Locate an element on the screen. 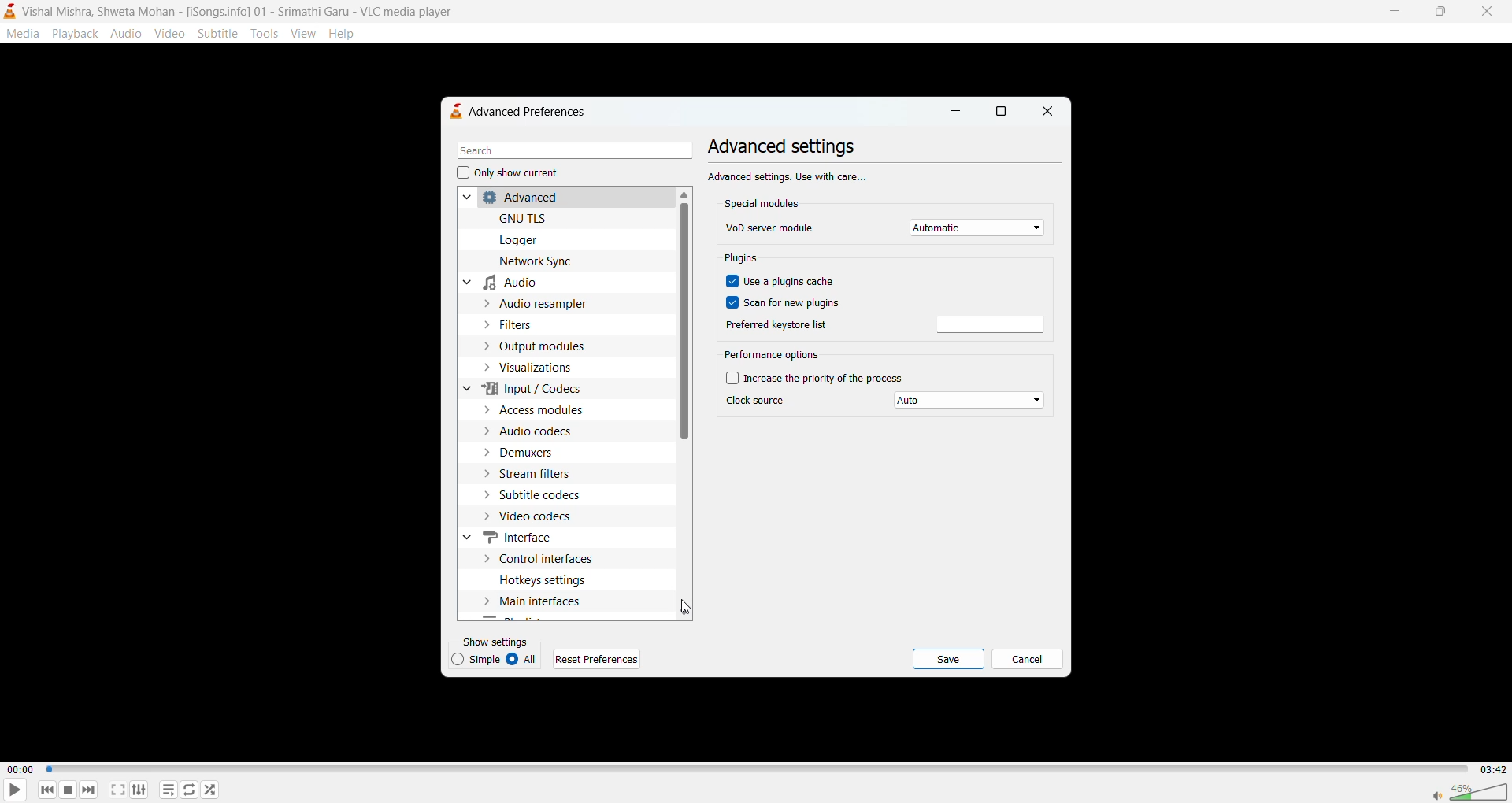  vod server module dropdown is located at coordinates (979, 228).